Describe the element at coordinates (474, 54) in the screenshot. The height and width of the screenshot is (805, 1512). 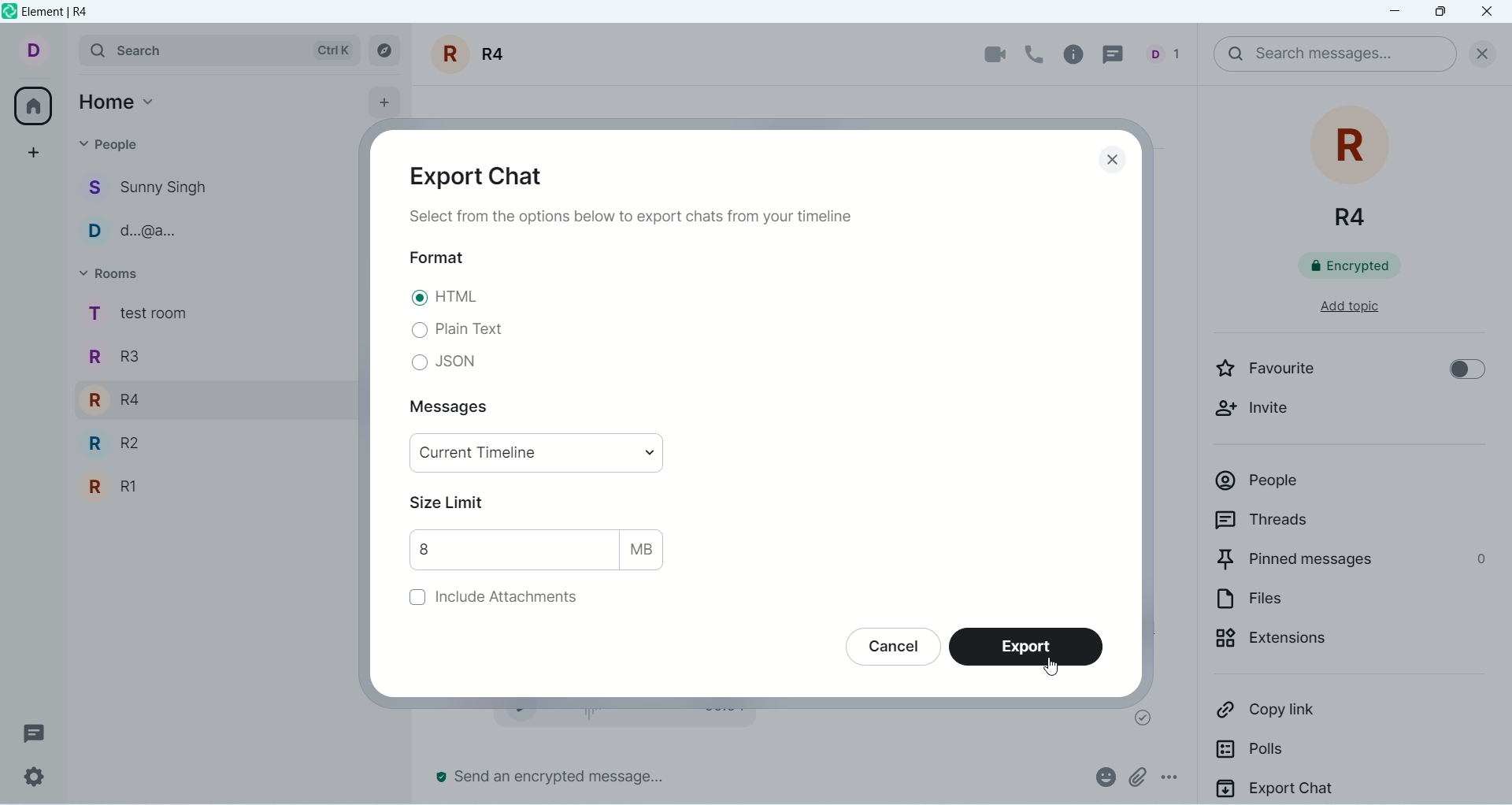
I see `room` at that location.